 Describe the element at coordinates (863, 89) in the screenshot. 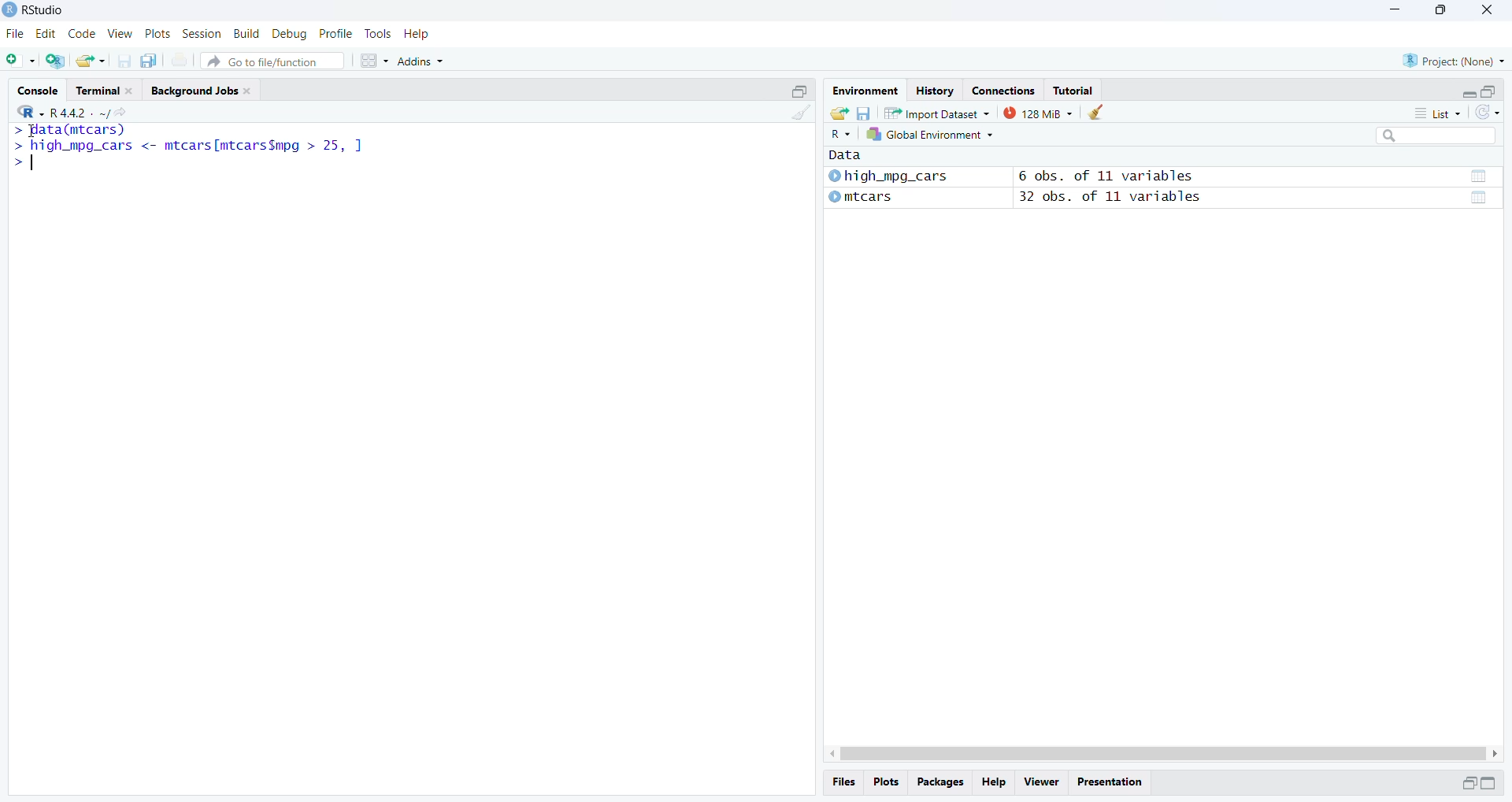

I see `Environment` at that location.